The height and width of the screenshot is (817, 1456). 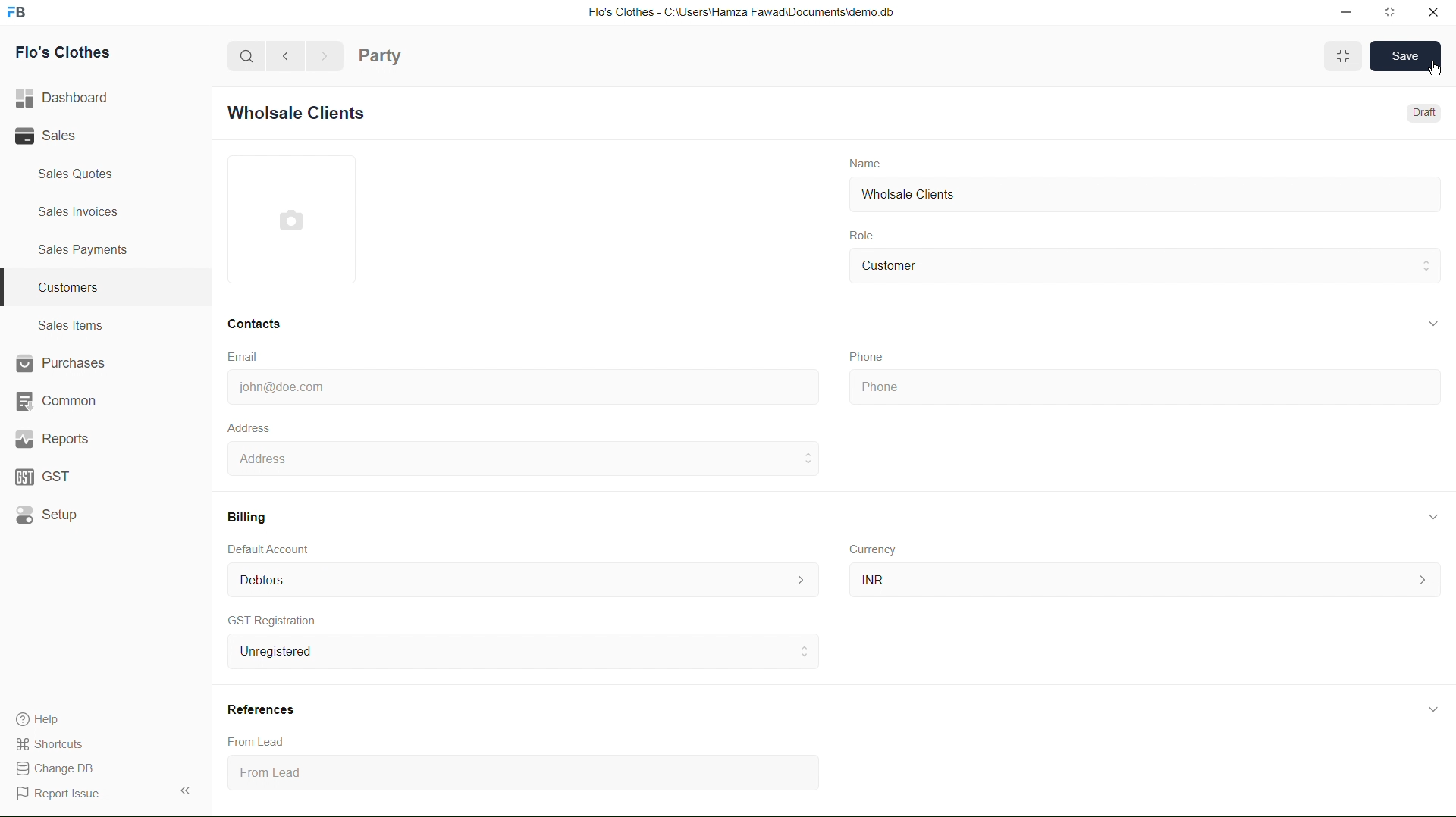 What do you see at coordinates (874, 549) in the screenshot?
I see `Currency` at bounding box center [874, 549].